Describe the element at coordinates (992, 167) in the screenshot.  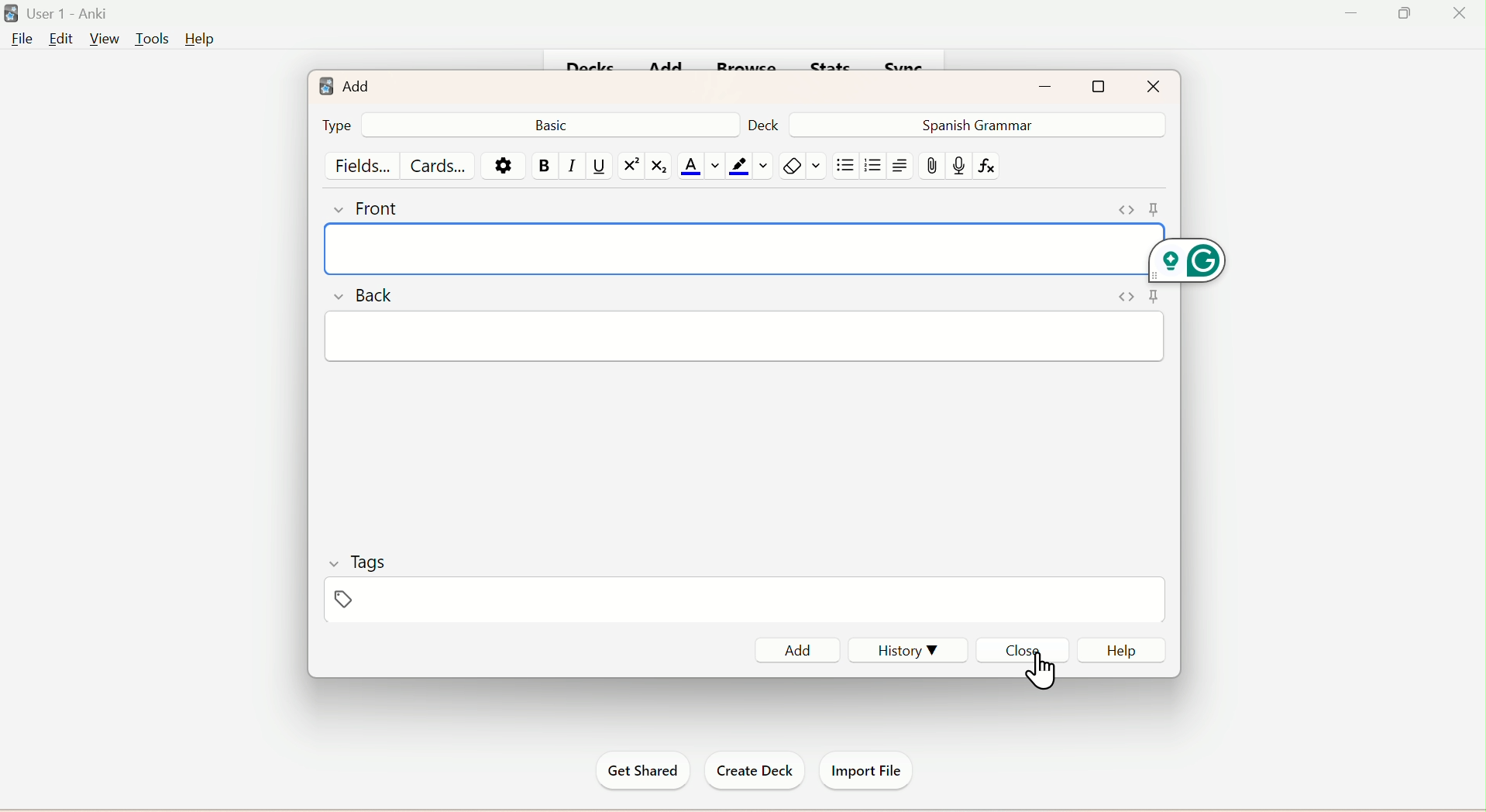
I see `fx` at that location.